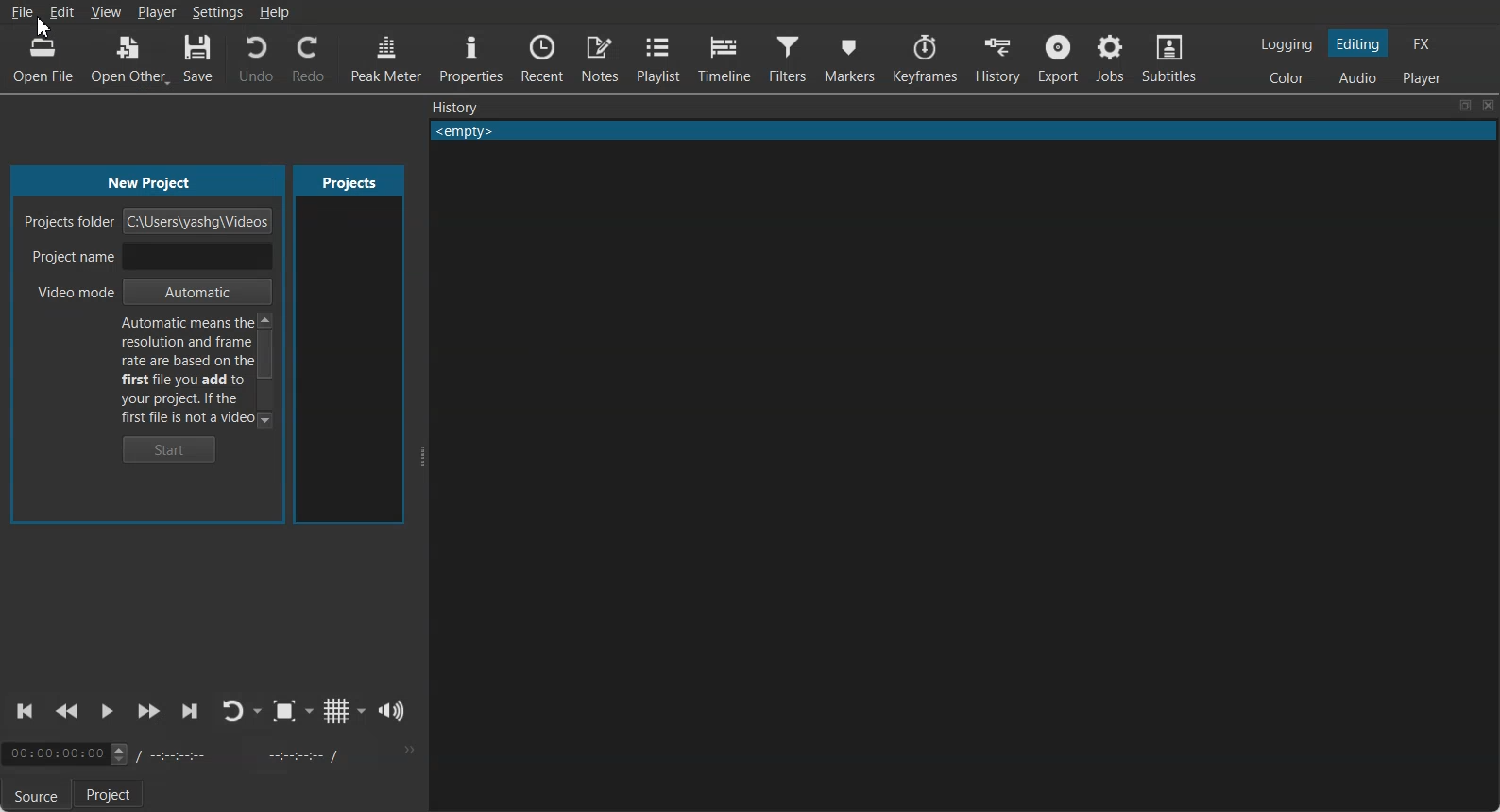  Describe the element at coordinates (1358, 76) in the screenshot. I see `Switching to Audio Layout` at that location.